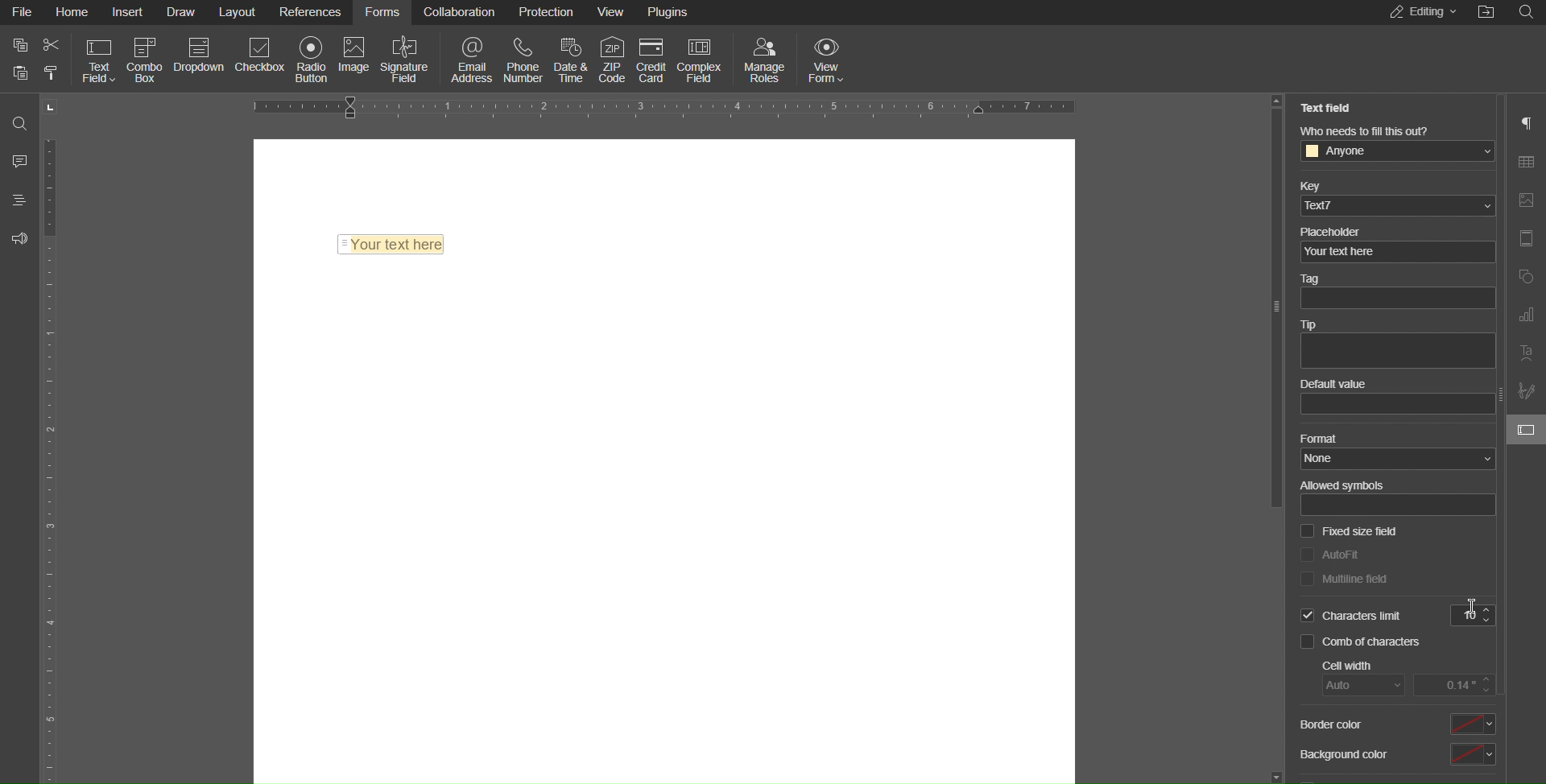 Image resolution: width=1546 pixels, height=784 pixels. Describe the element at coordinates (52, 45) in the screenshot. I see `cut` at that location.